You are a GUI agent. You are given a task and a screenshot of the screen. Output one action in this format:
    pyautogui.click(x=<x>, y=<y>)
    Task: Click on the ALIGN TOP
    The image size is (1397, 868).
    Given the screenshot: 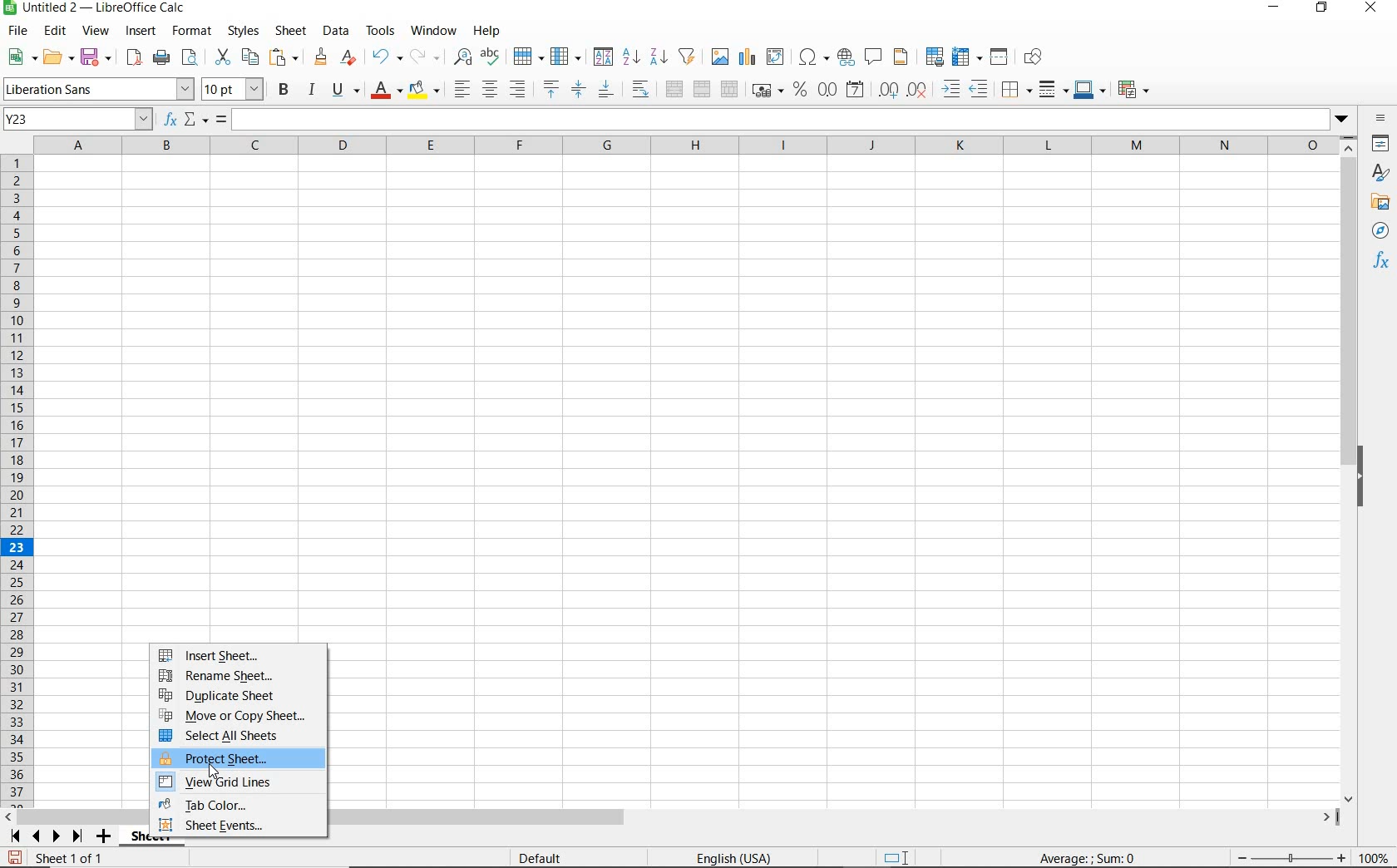 What is the action you would take?
    pyautogui.click(x=550, y=89)
    